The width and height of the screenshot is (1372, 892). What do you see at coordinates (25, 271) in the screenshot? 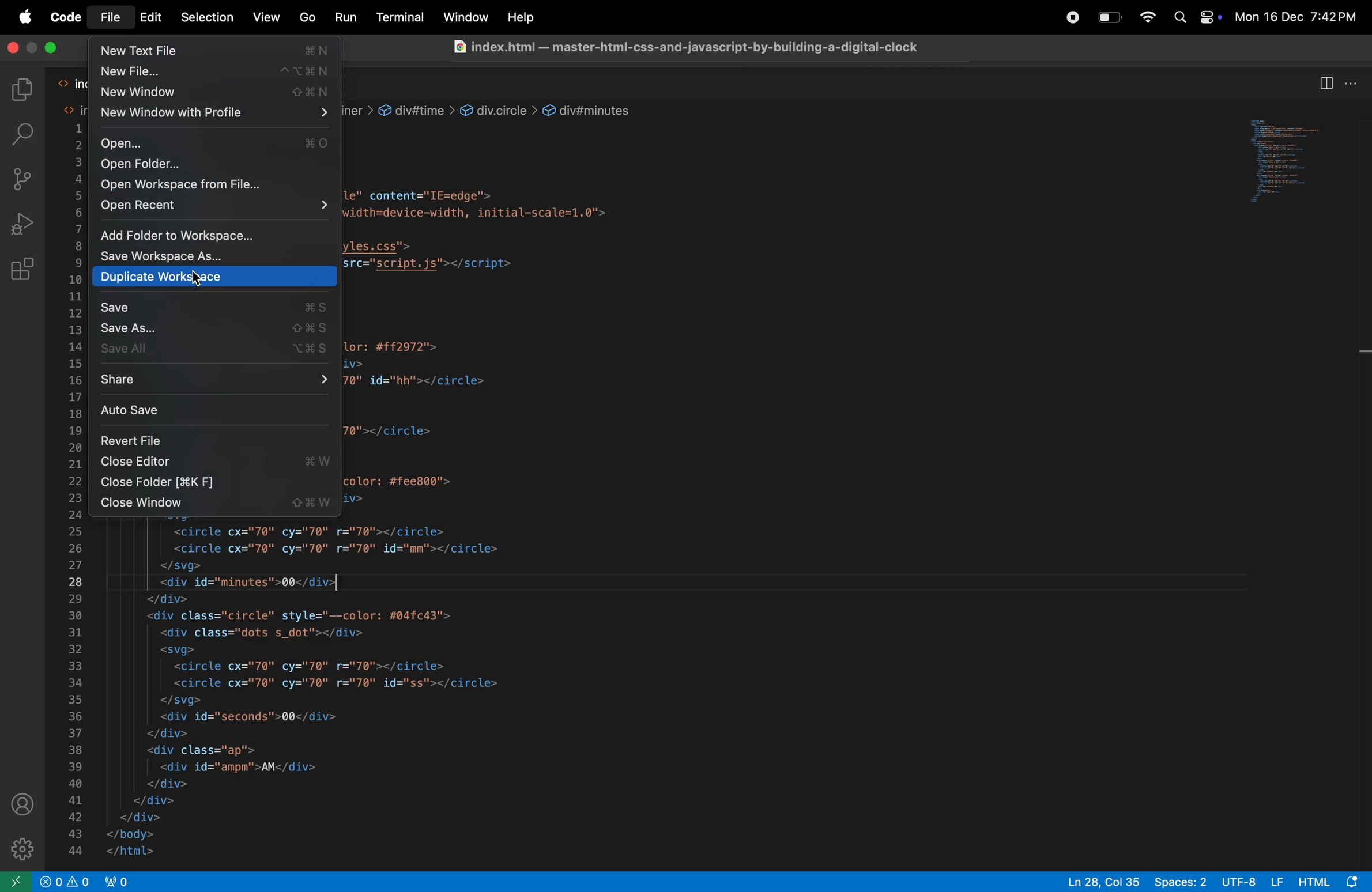
I see `extensions` at bounding box center [25, 271].